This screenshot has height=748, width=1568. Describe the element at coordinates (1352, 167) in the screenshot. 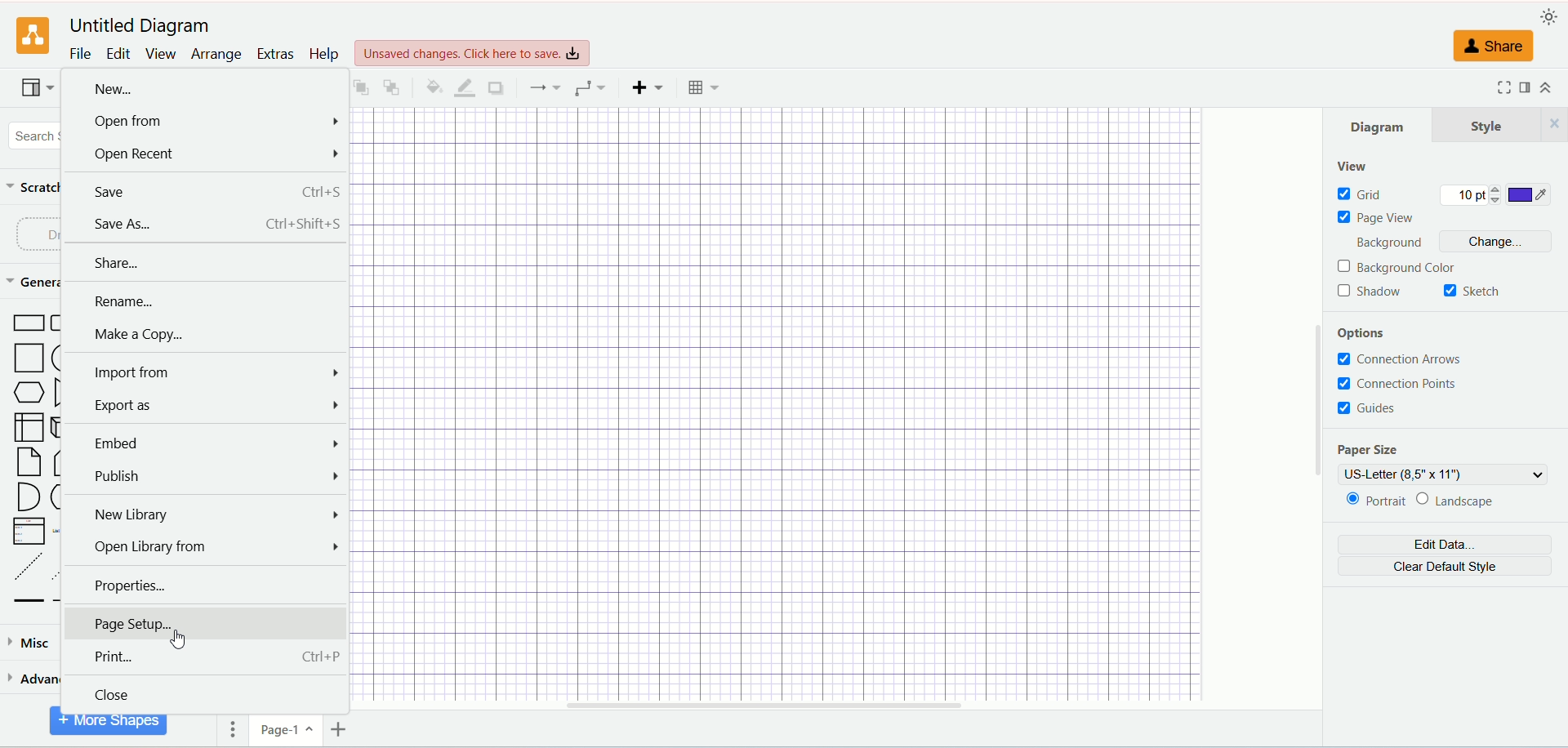

I see `view` at that location.